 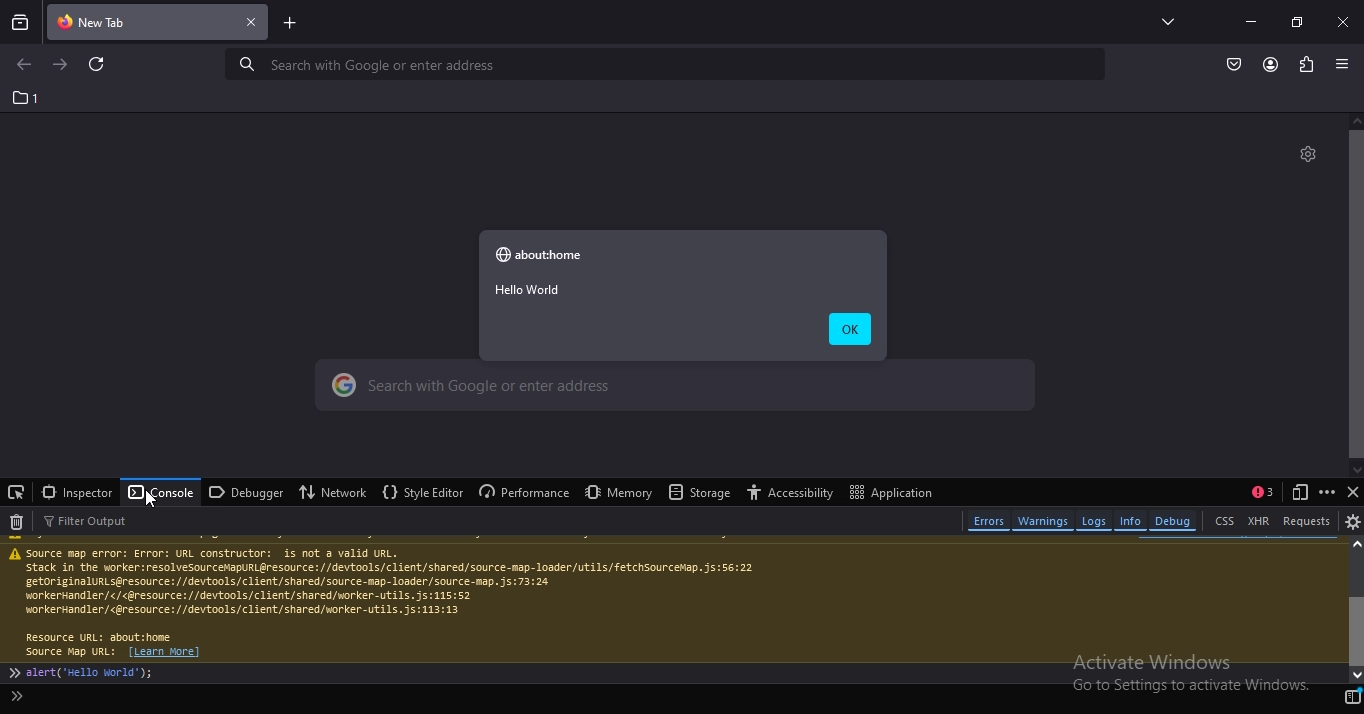 I want to click on errors, so click(x=989, y=521).